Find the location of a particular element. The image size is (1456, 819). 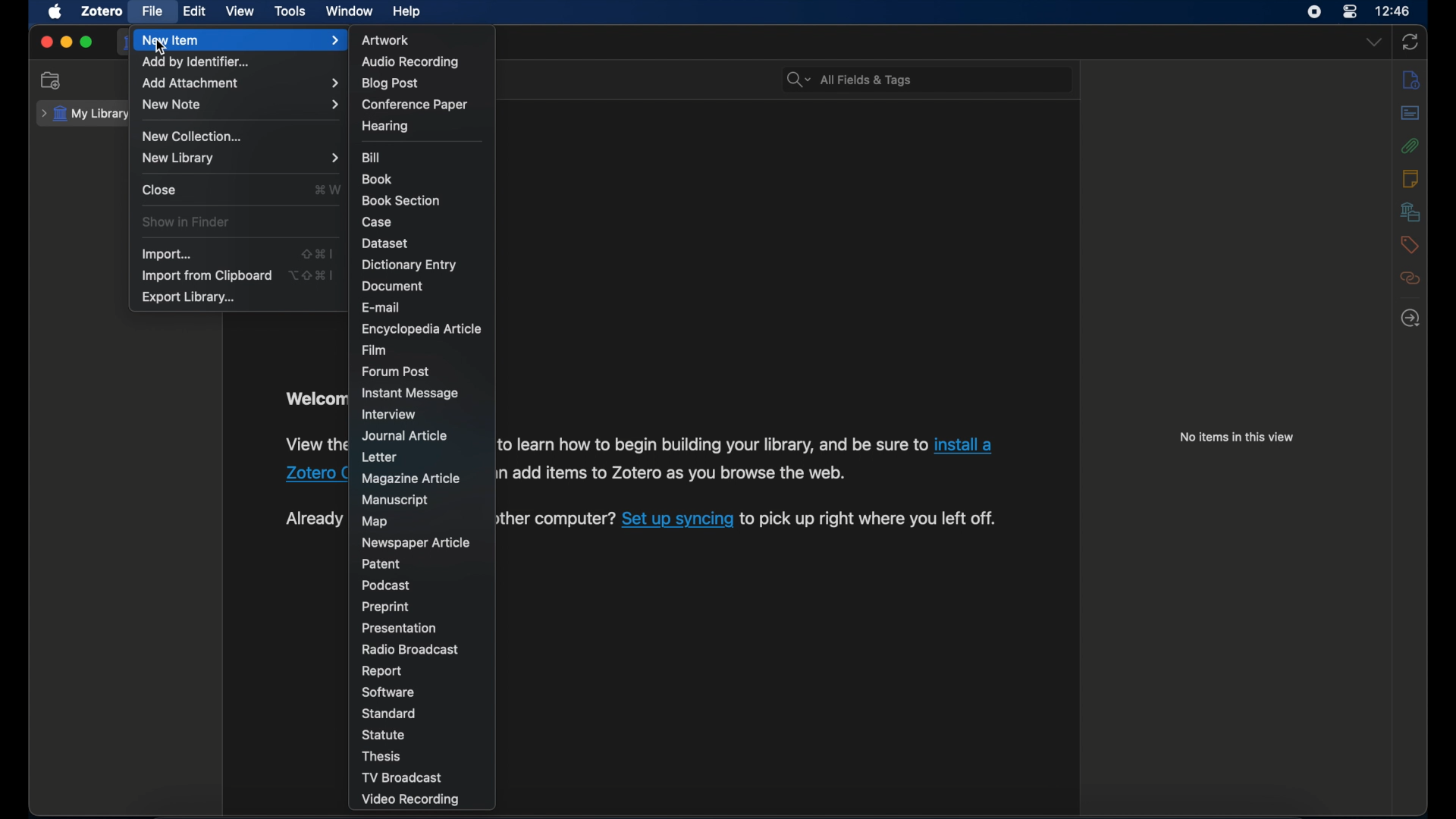

case is located at coordinates (377, 221).